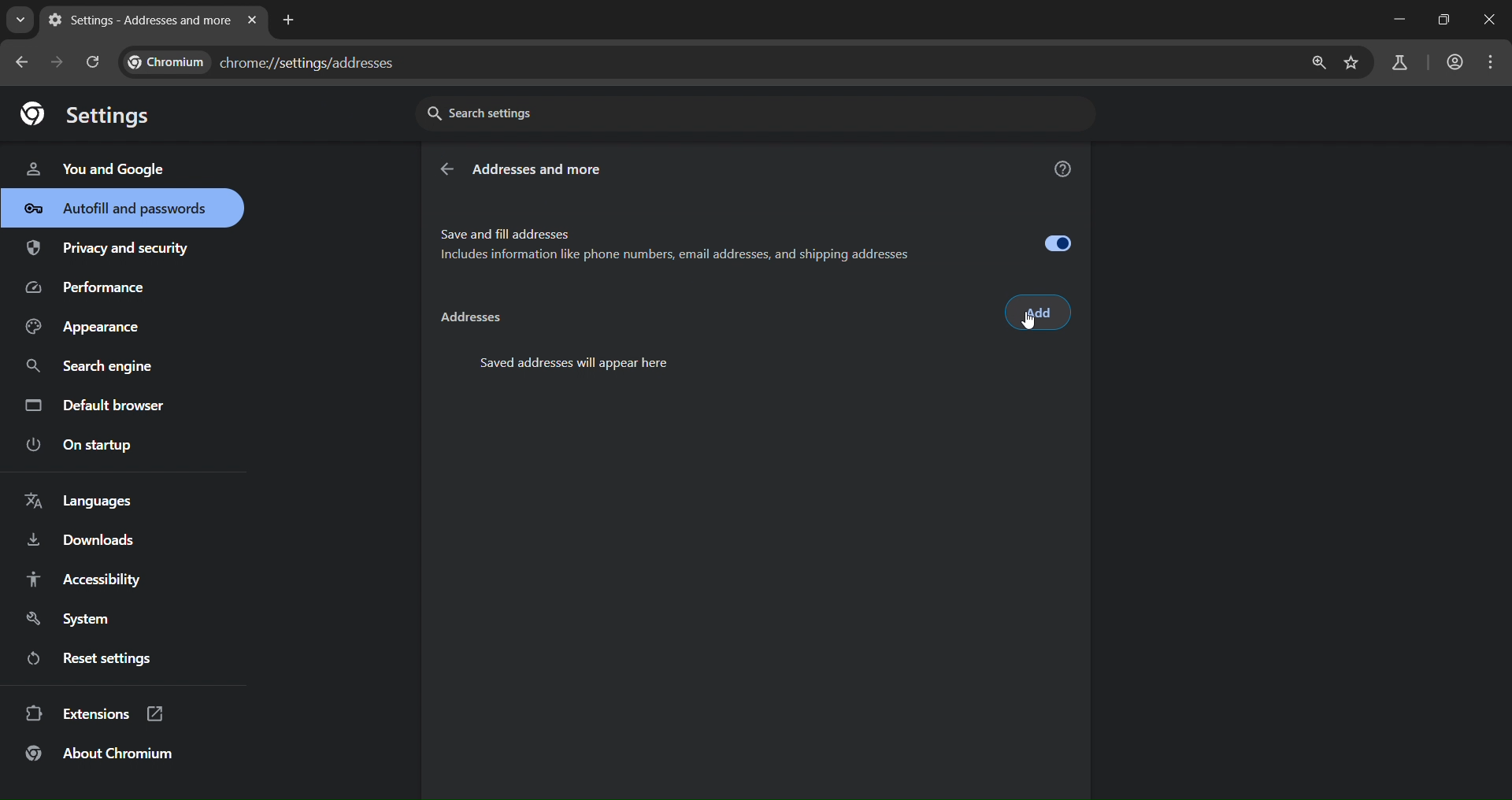  Describe the element at coordinates (1395, 20) in the screenshot. I see `minimize` at that location.